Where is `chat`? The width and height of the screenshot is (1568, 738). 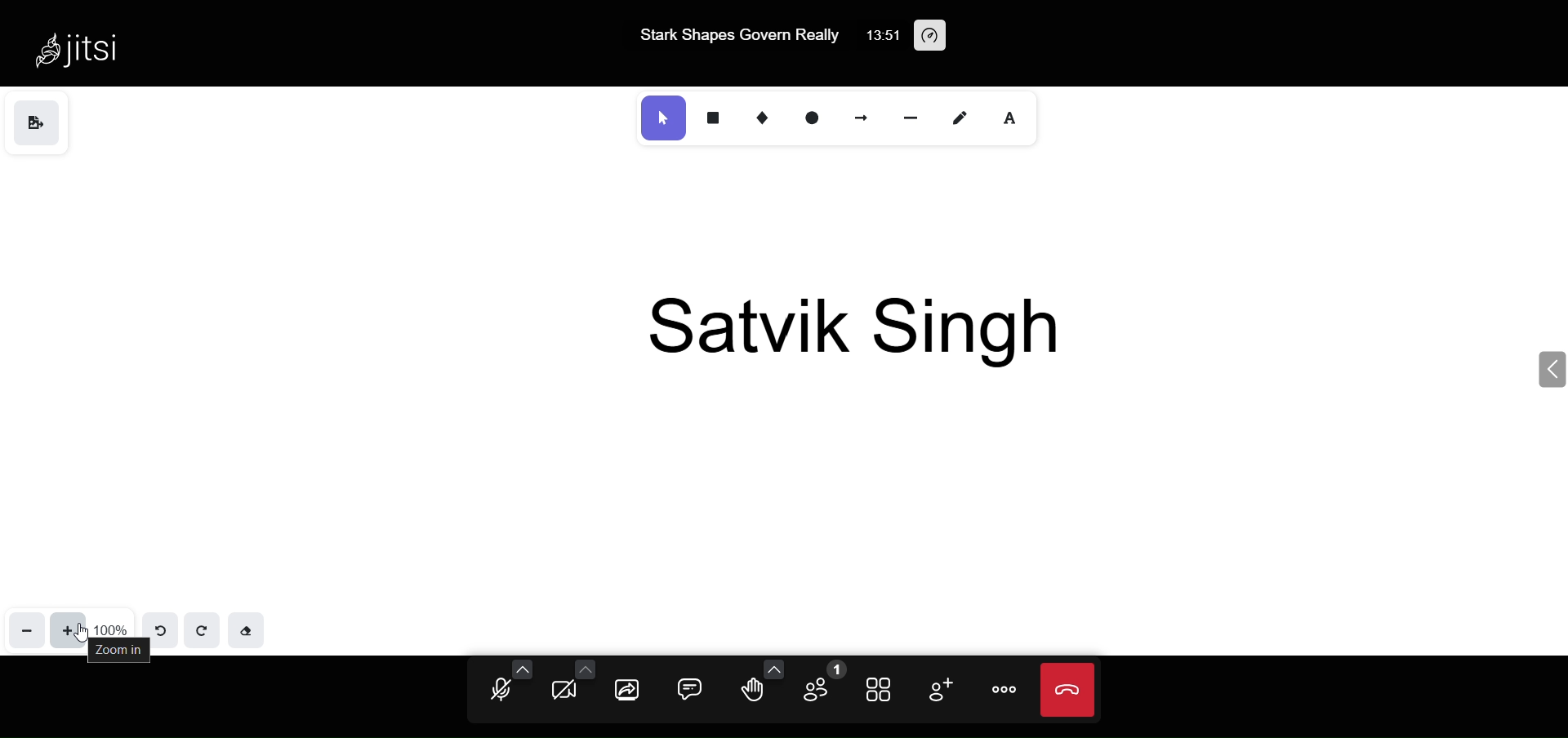 chat is located at coordinates (687, 687).